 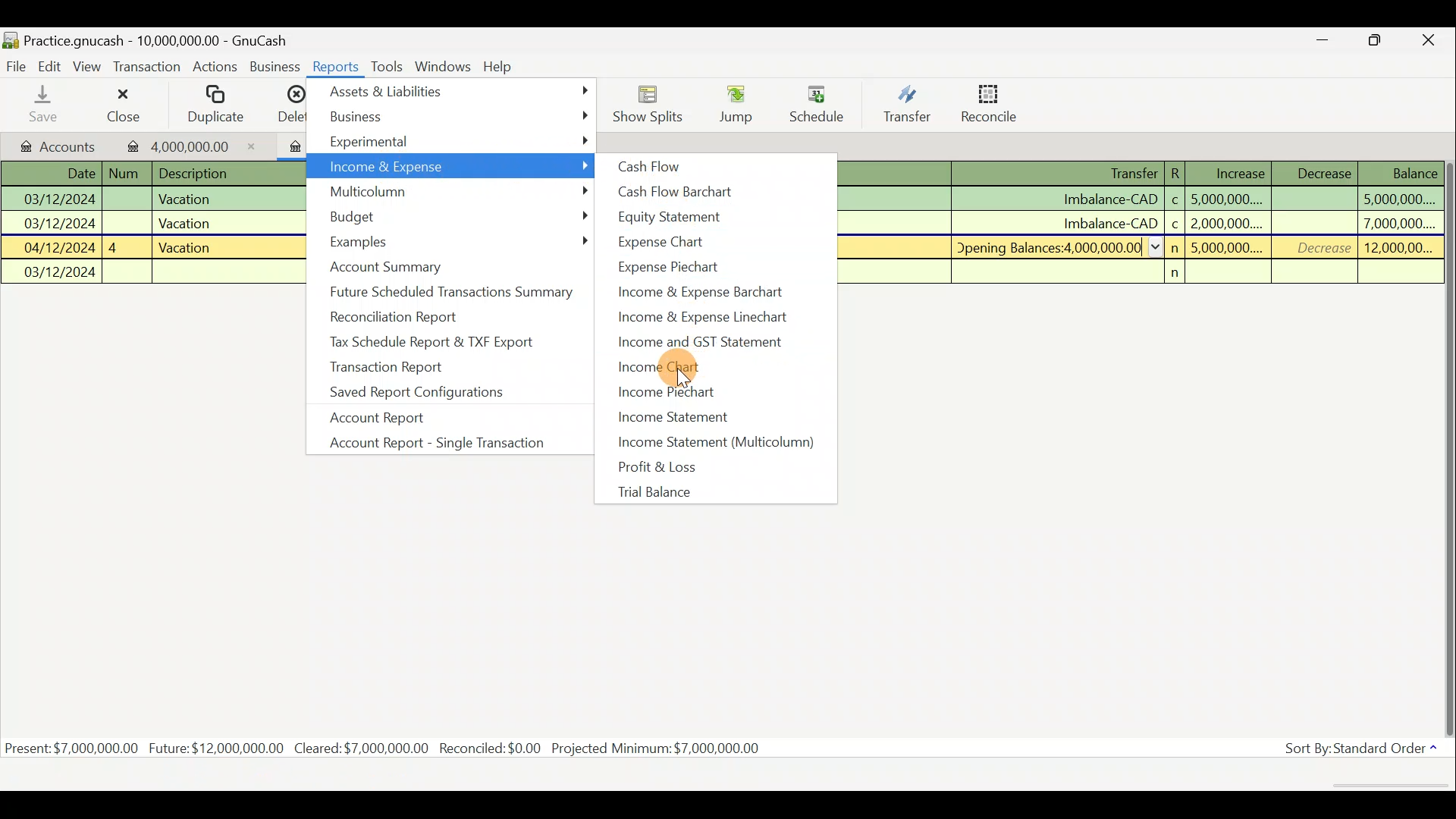 What do you see at coordinates (720, 341) in the screenshot?
I see `Income and GST statement` at bounding box center [720, 341].